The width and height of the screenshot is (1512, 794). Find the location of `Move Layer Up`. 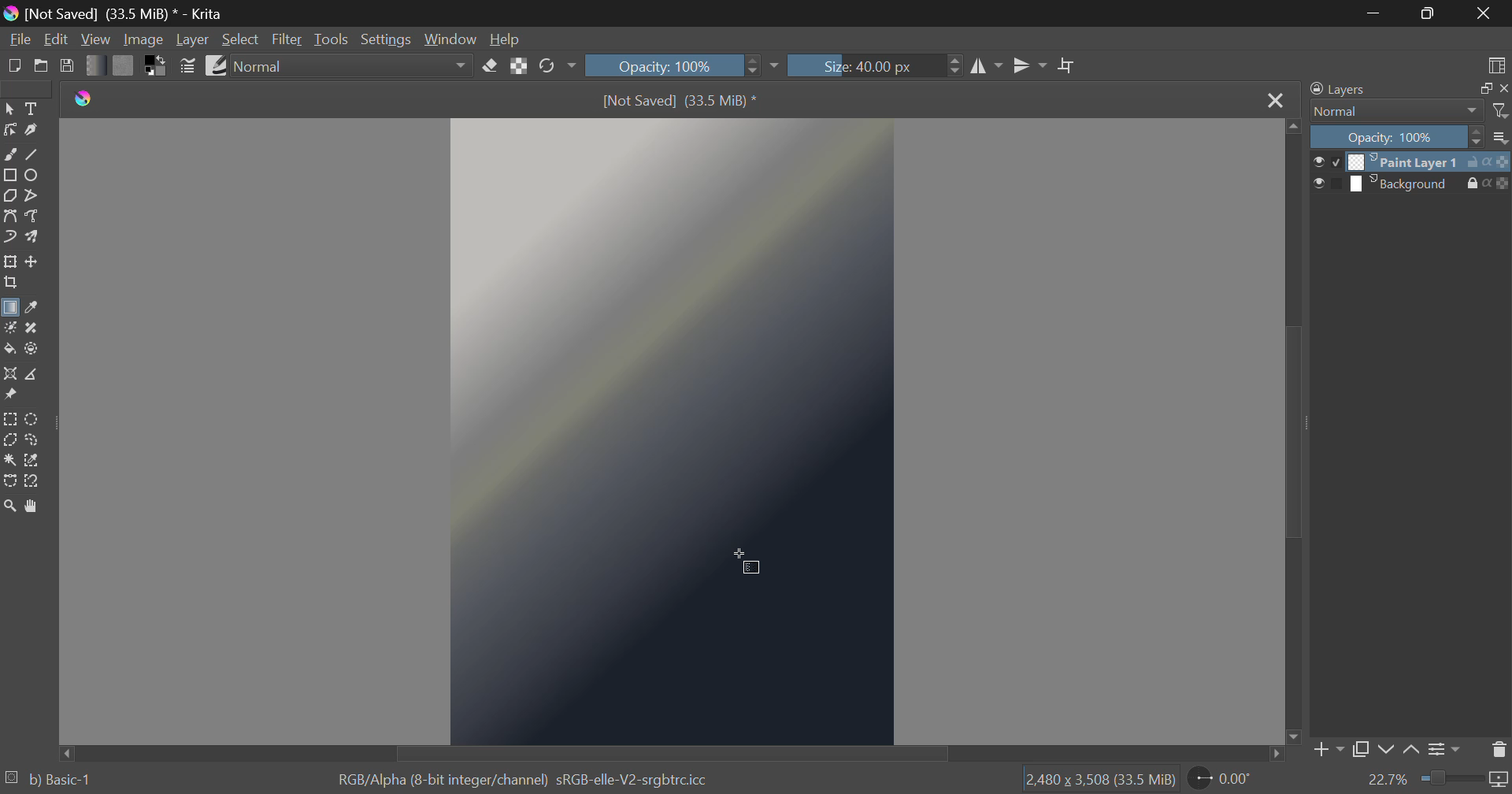

Move Layer Up is located at coordinates (1412, 751).